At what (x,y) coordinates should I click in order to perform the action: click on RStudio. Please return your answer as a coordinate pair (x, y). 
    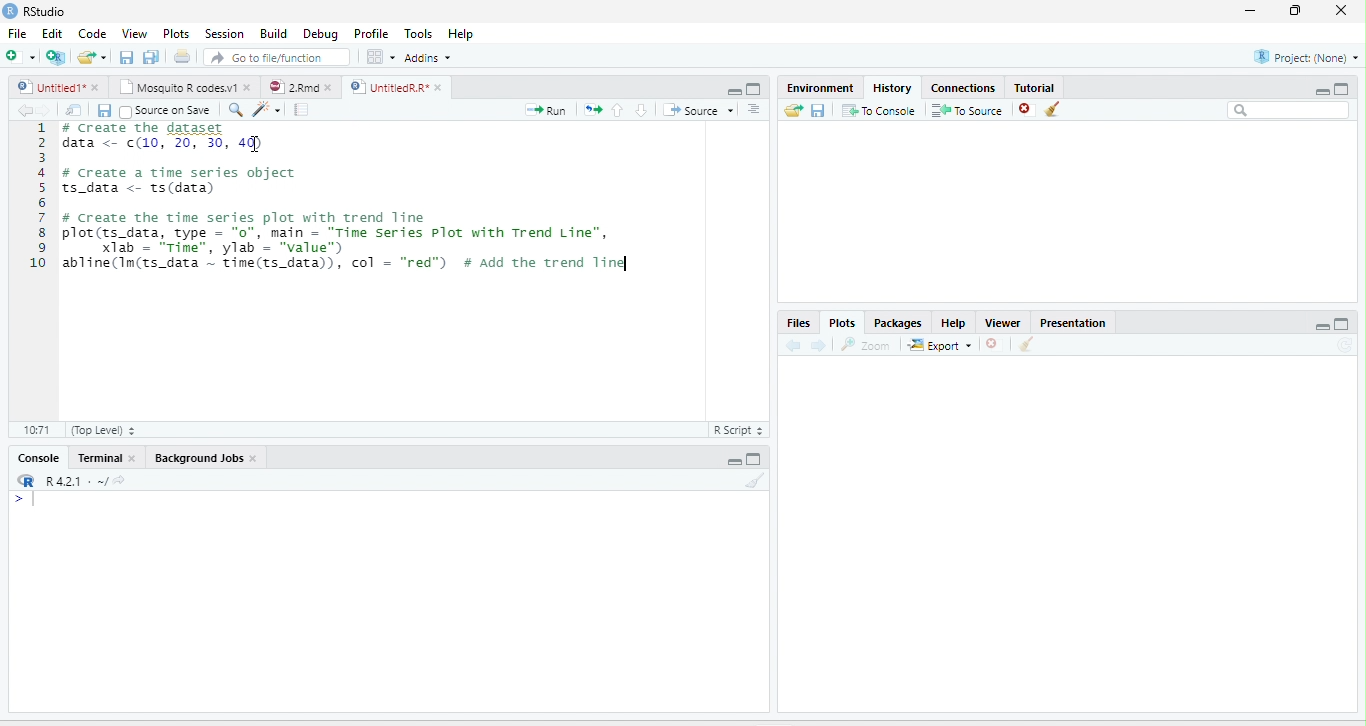
    Looking at the image, I should click on (34, 10).